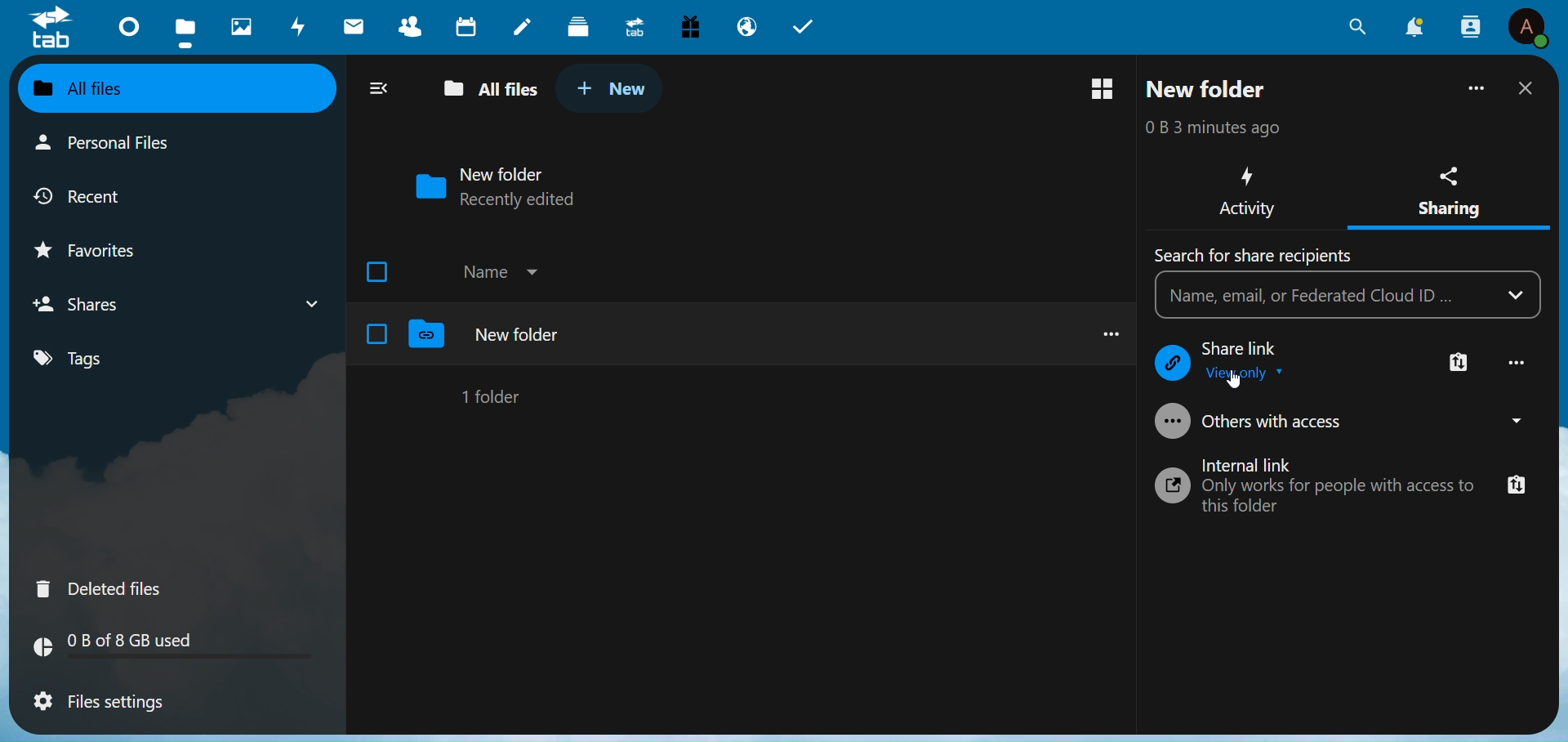 This screenshot has height=742, width=1568. Describe the element at coordinates (184, 29) in the screenshot. I see `Files` at that location.